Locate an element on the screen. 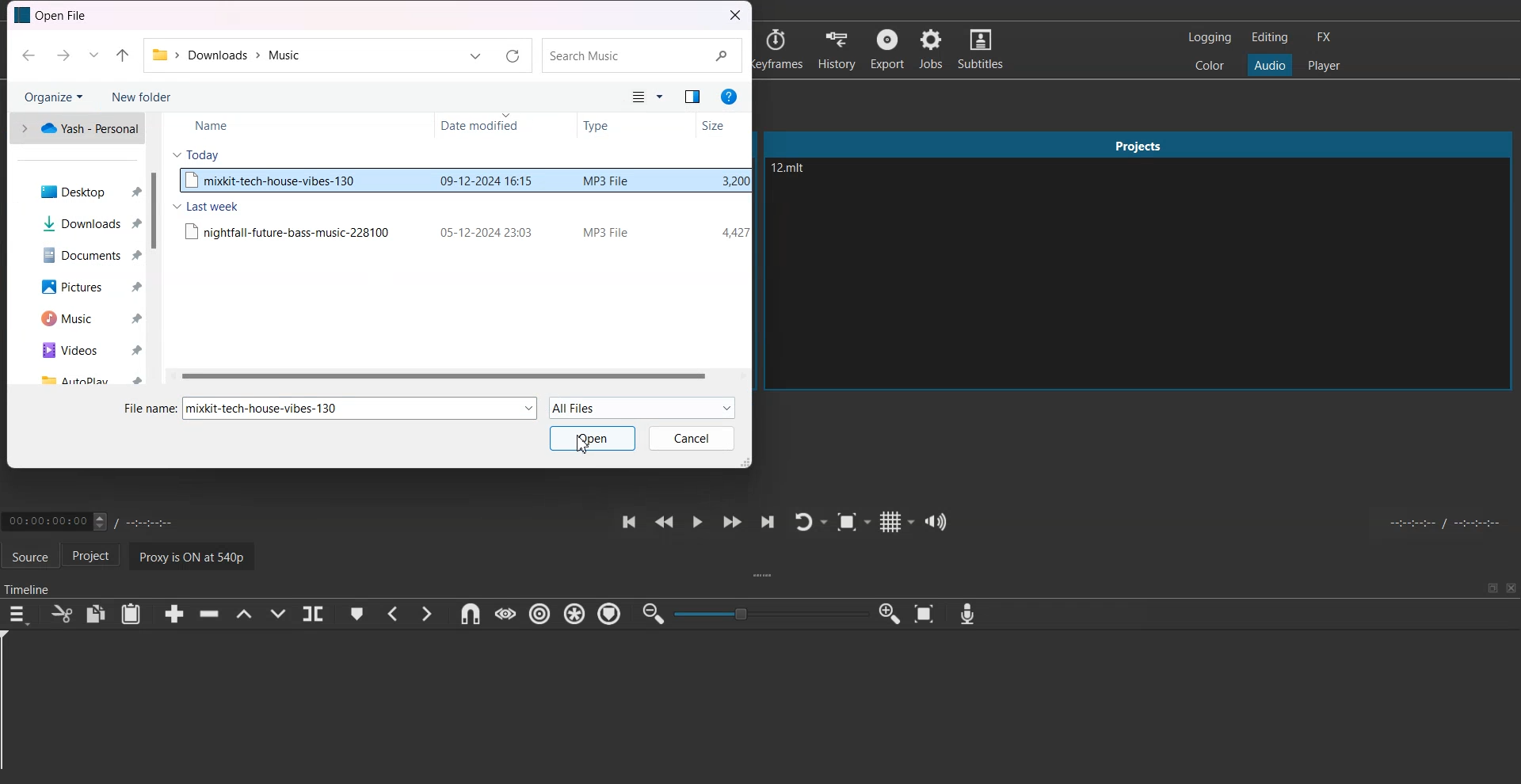 Image resolution: width=1521 pixels, height=784 pixels. Switch to the effect layout is located at coordinates (1328, 37).